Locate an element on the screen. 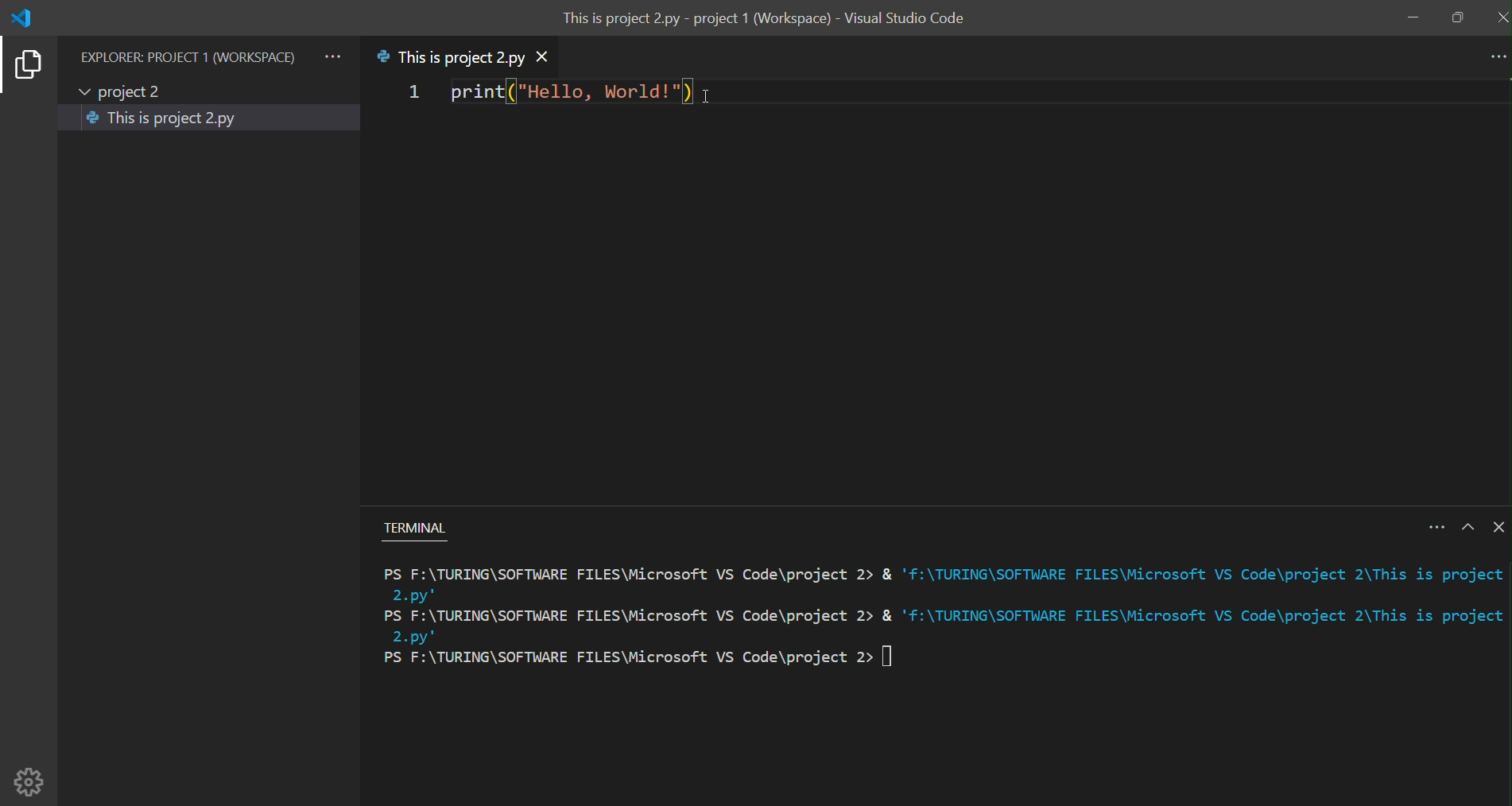  maximize panel size is located at coordinates (1467, 525).